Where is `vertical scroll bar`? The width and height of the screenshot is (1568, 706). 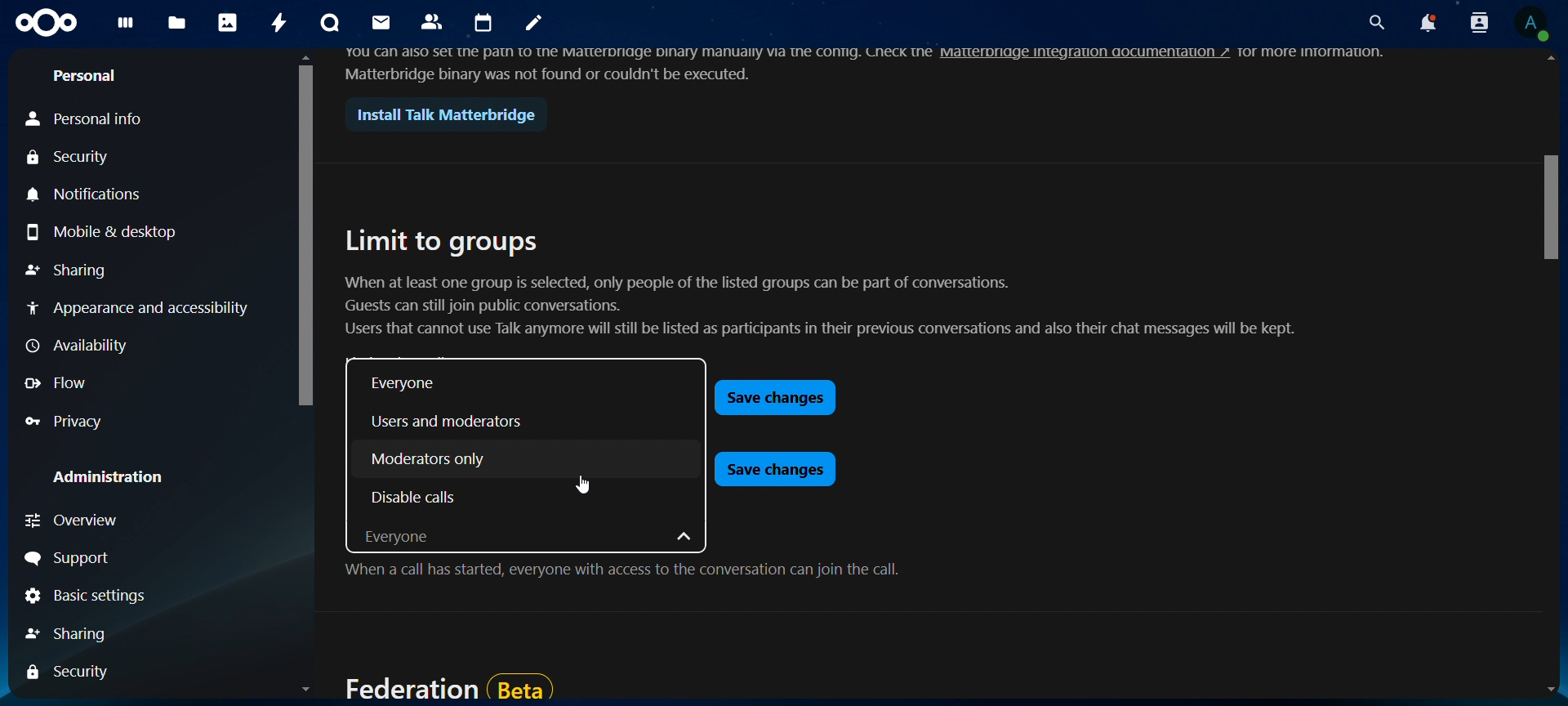 vertical scroll bar is located at coordinates (1543, 206).